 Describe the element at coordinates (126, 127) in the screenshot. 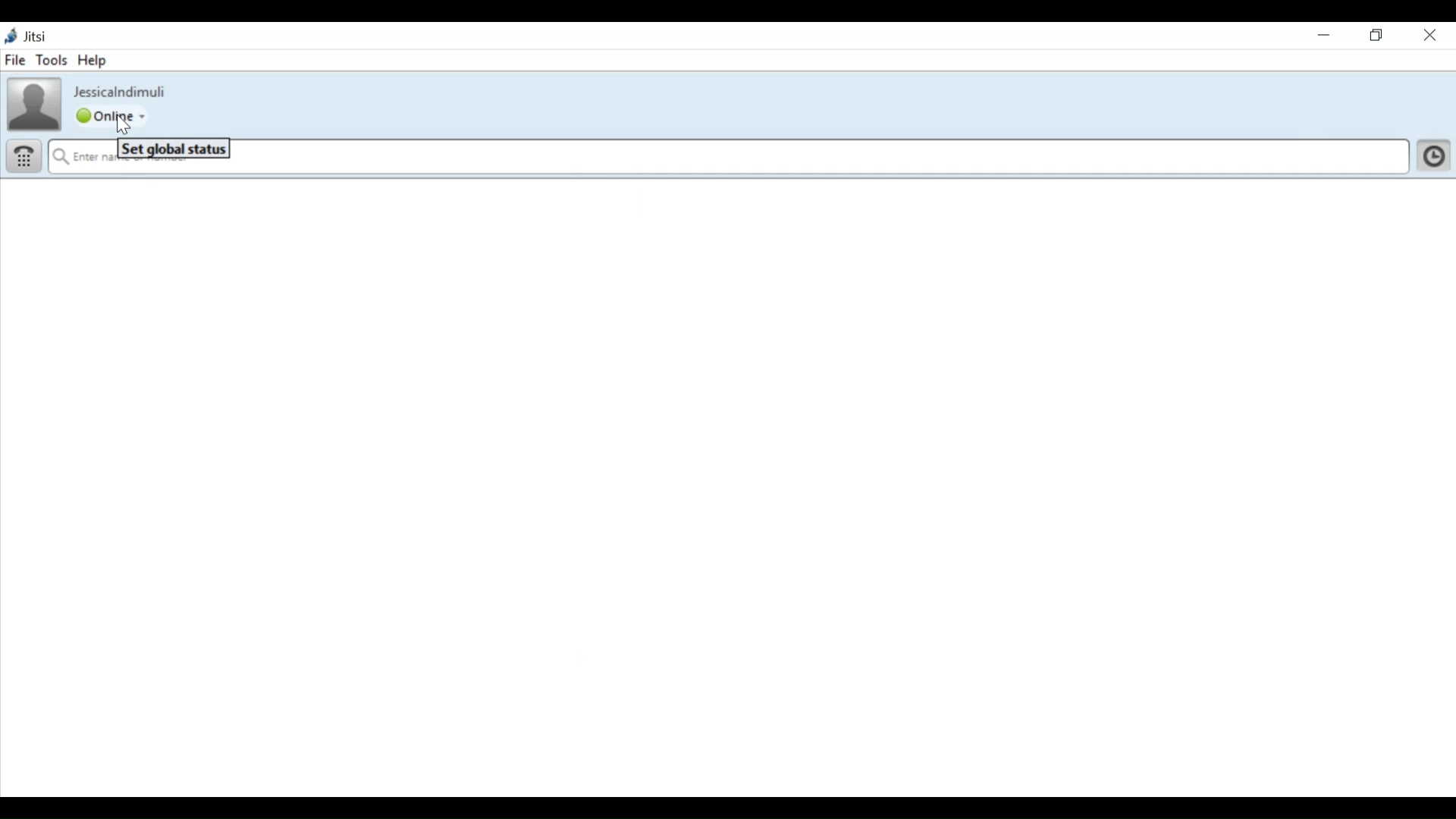

I see `cursor` at that location.